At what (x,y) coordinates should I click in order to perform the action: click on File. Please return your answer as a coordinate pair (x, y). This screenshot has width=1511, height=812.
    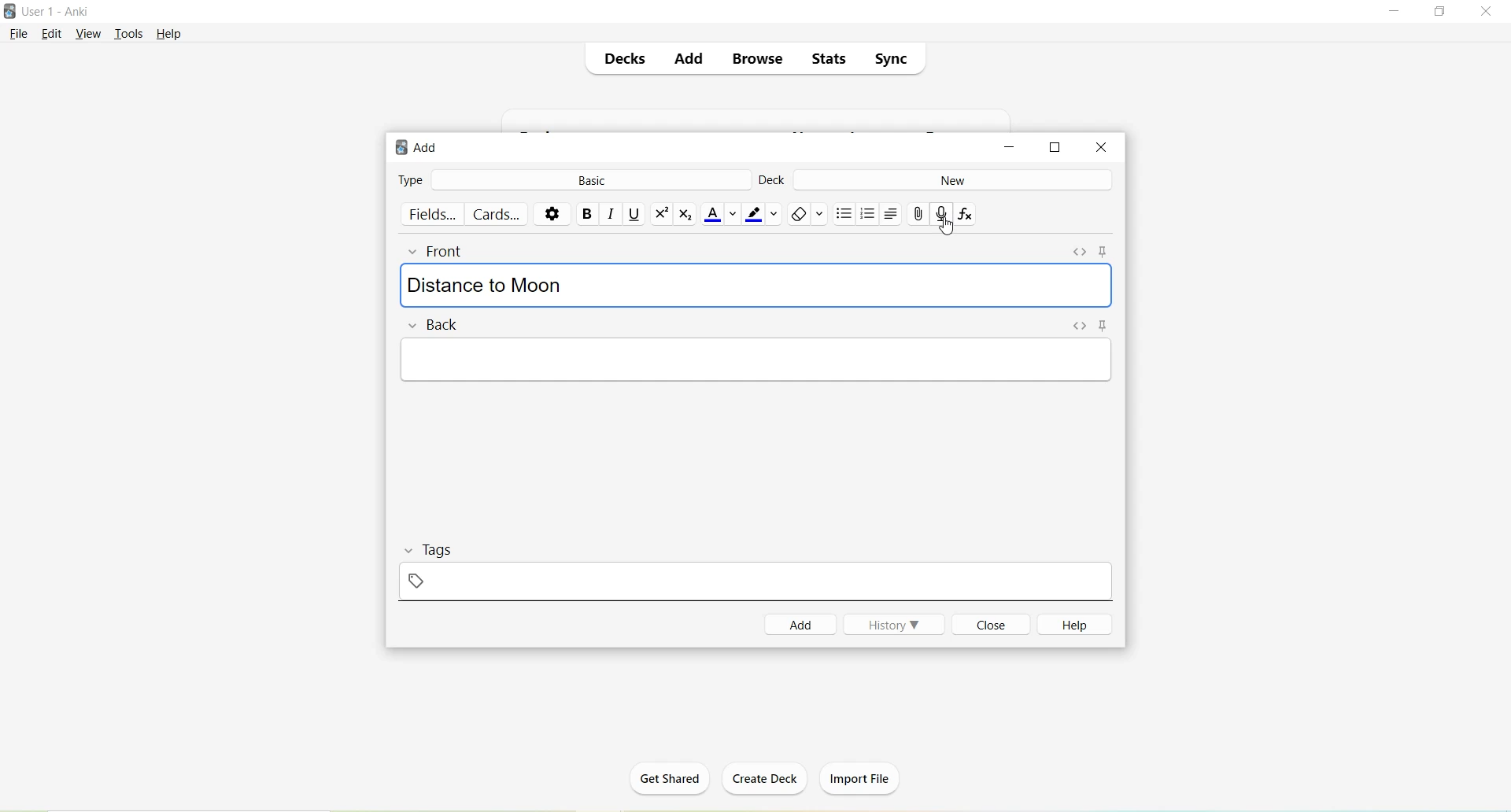
    Looking at the image, I should click on (19, 35).